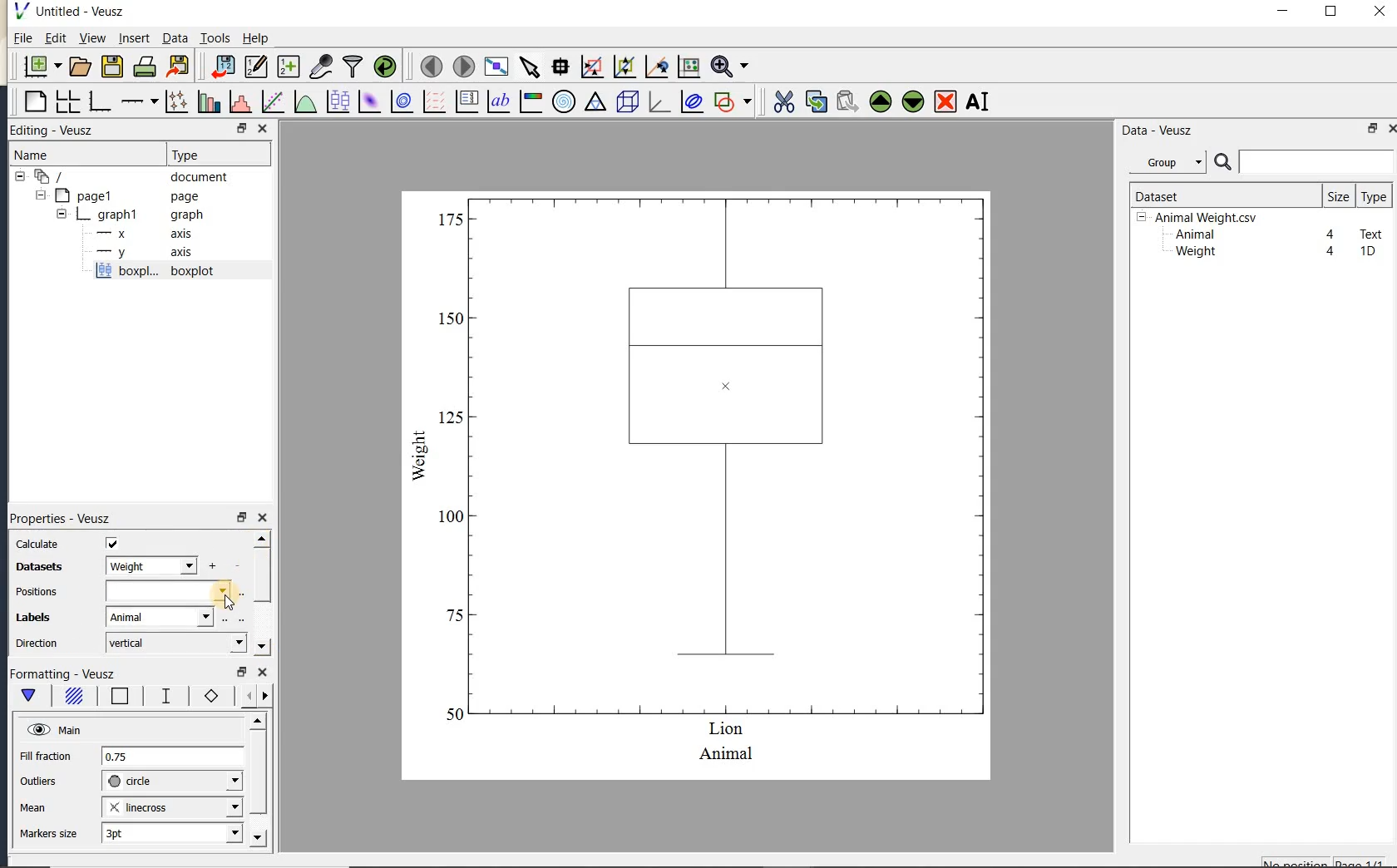 This screenshot has height=868, width=1397. Describe the element at coordinates (1194, 253) in the screenshot. I see `Weight` at that location.